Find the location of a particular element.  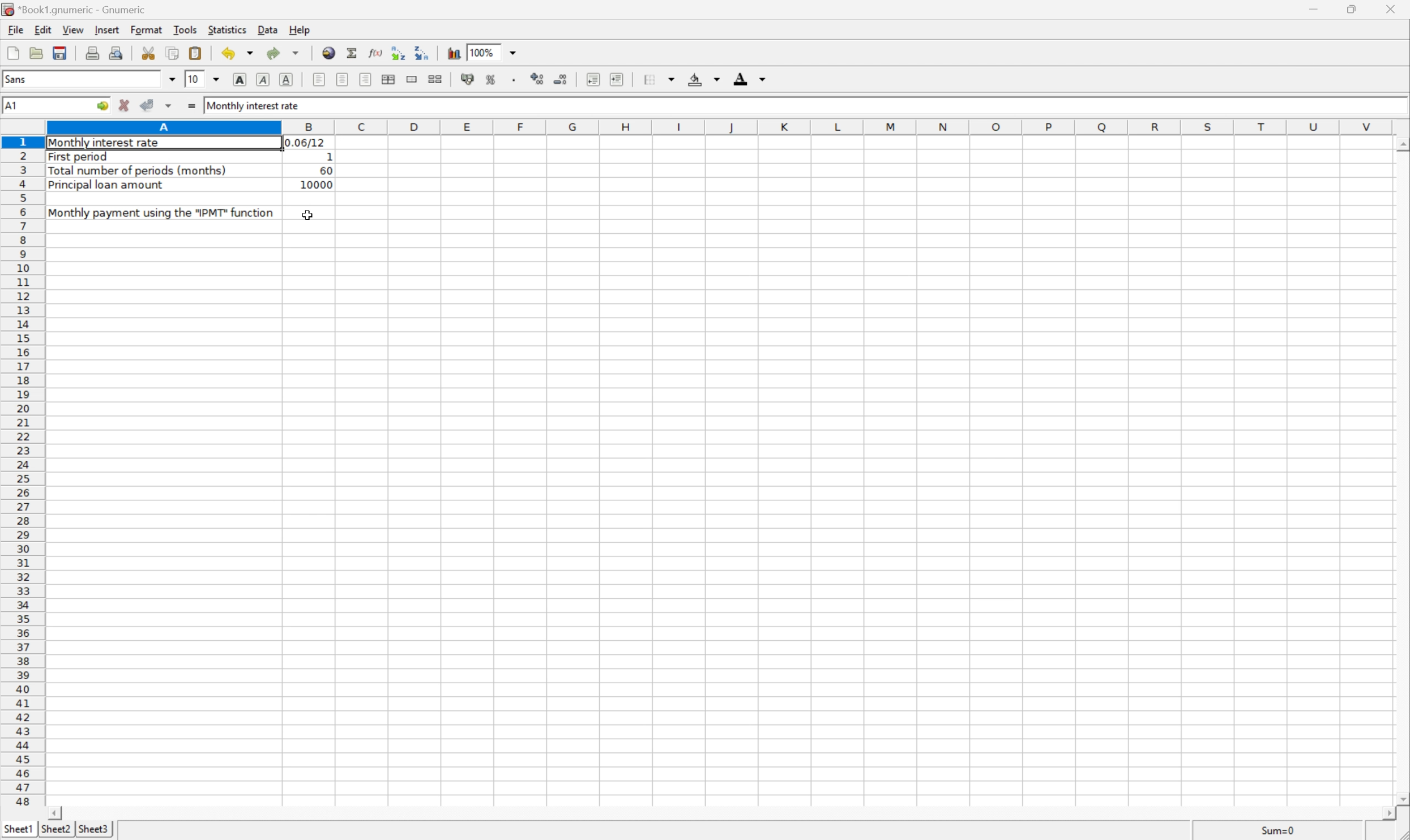

Print preview is located at coordinates (117, 52).